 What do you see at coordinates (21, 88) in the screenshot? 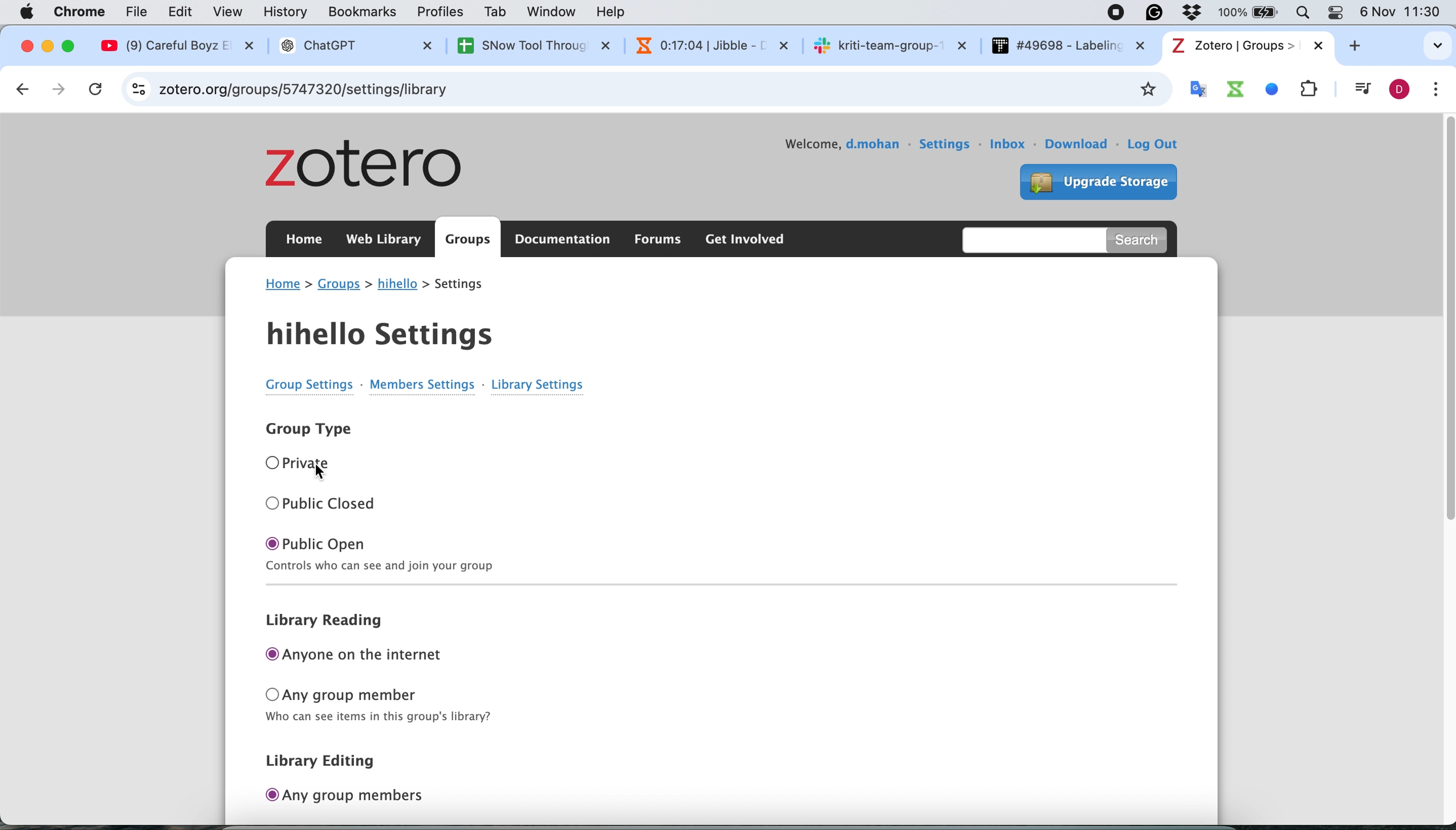
I see `go back` at bounding box center [21, 88].